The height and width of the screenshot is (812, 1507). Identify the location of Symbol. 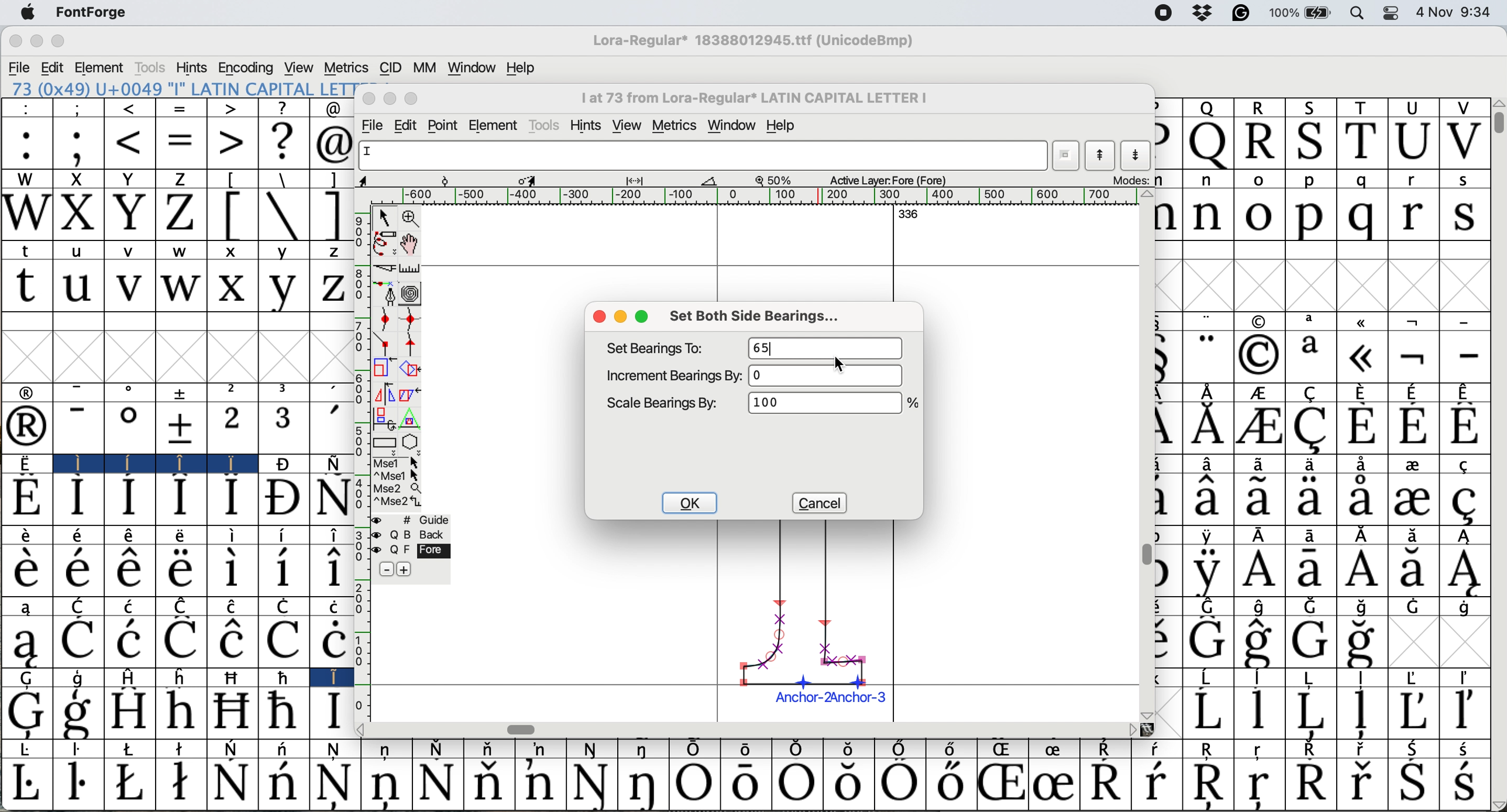
(283, 784).